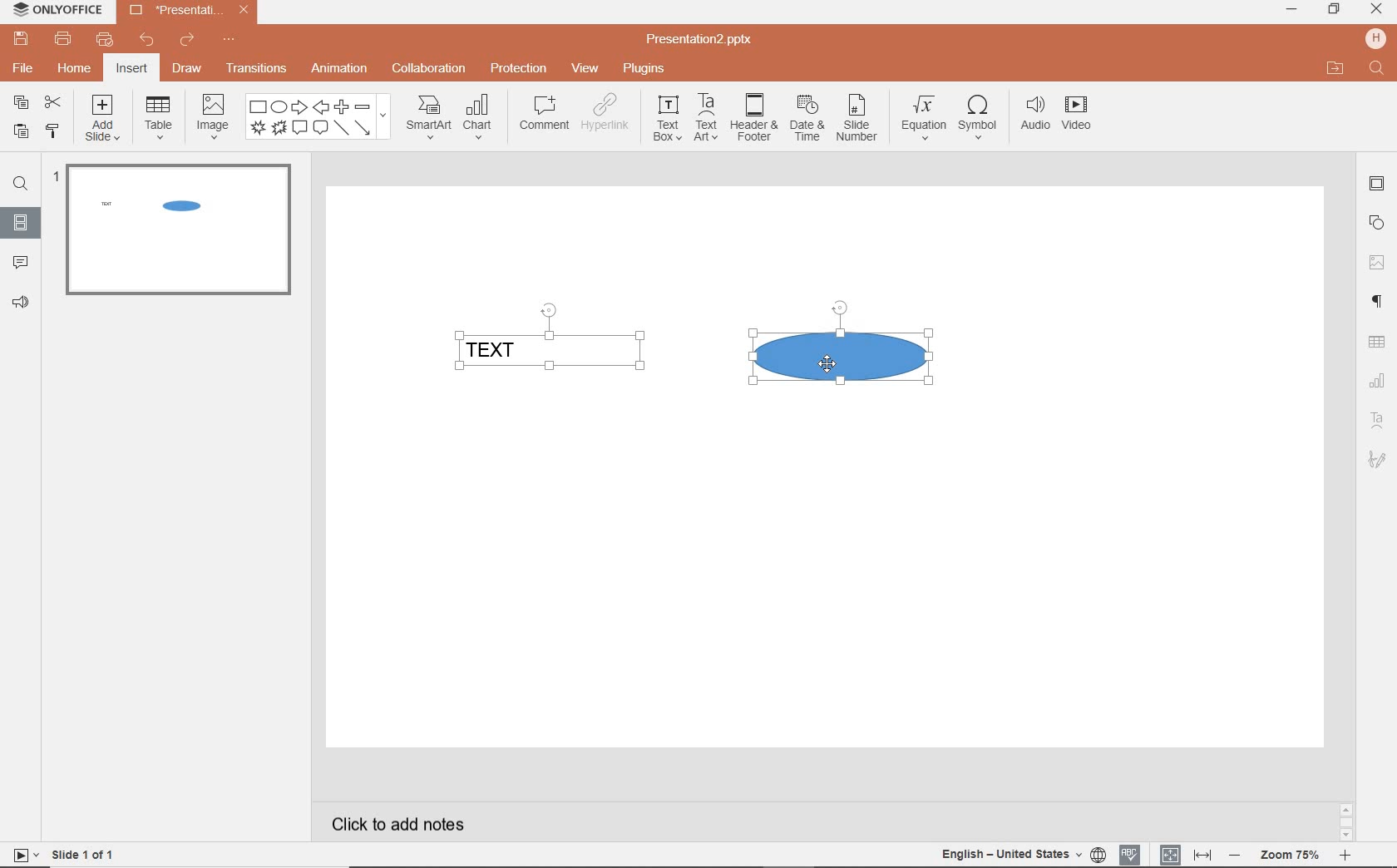 Image resolution: width=1397 pixels, height=868 pixels. I want to click on customize quick print, so click(102, 40).